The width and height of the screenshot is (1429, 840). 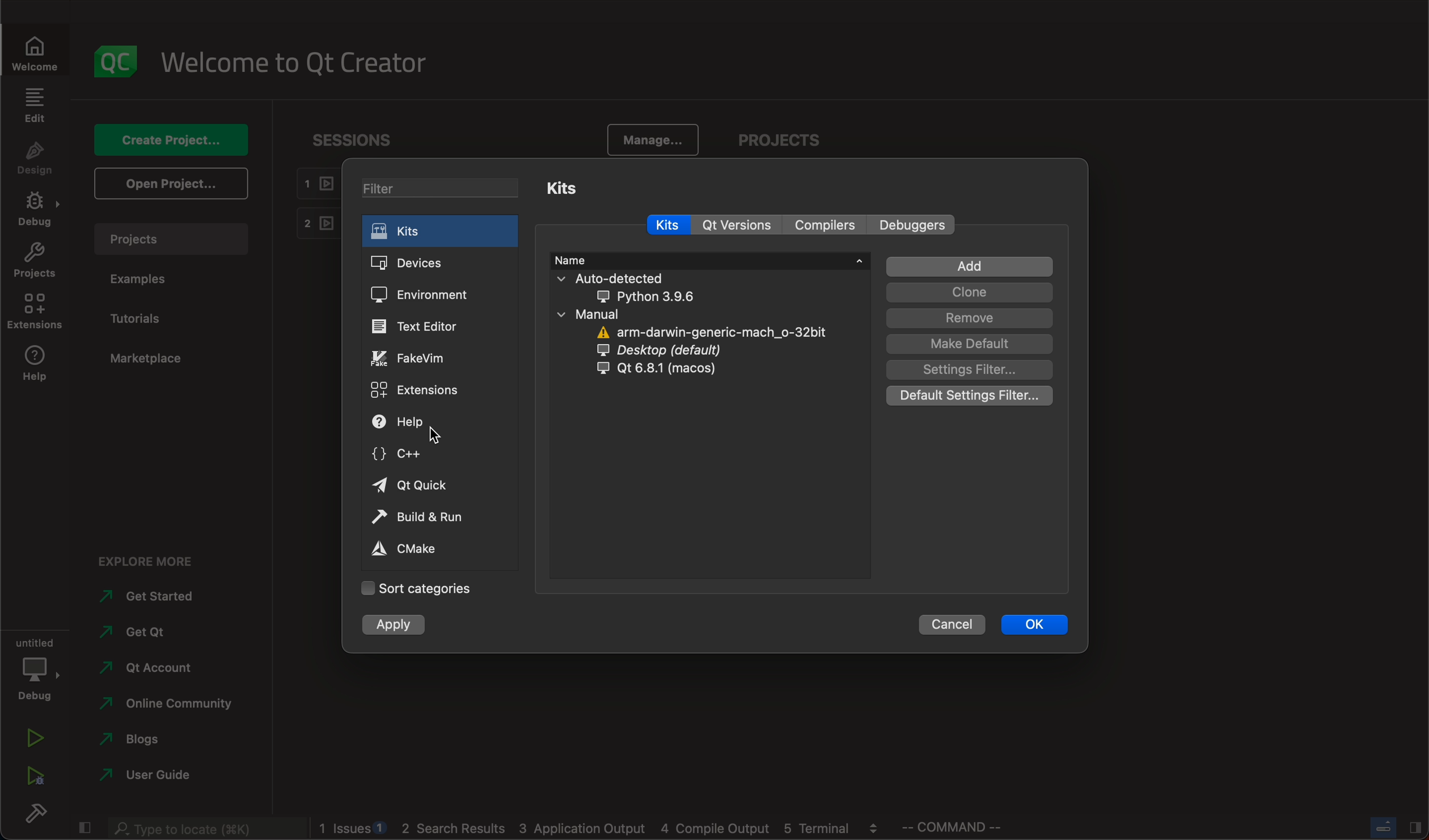 I want to click on qt, so click(x=655, y=368).